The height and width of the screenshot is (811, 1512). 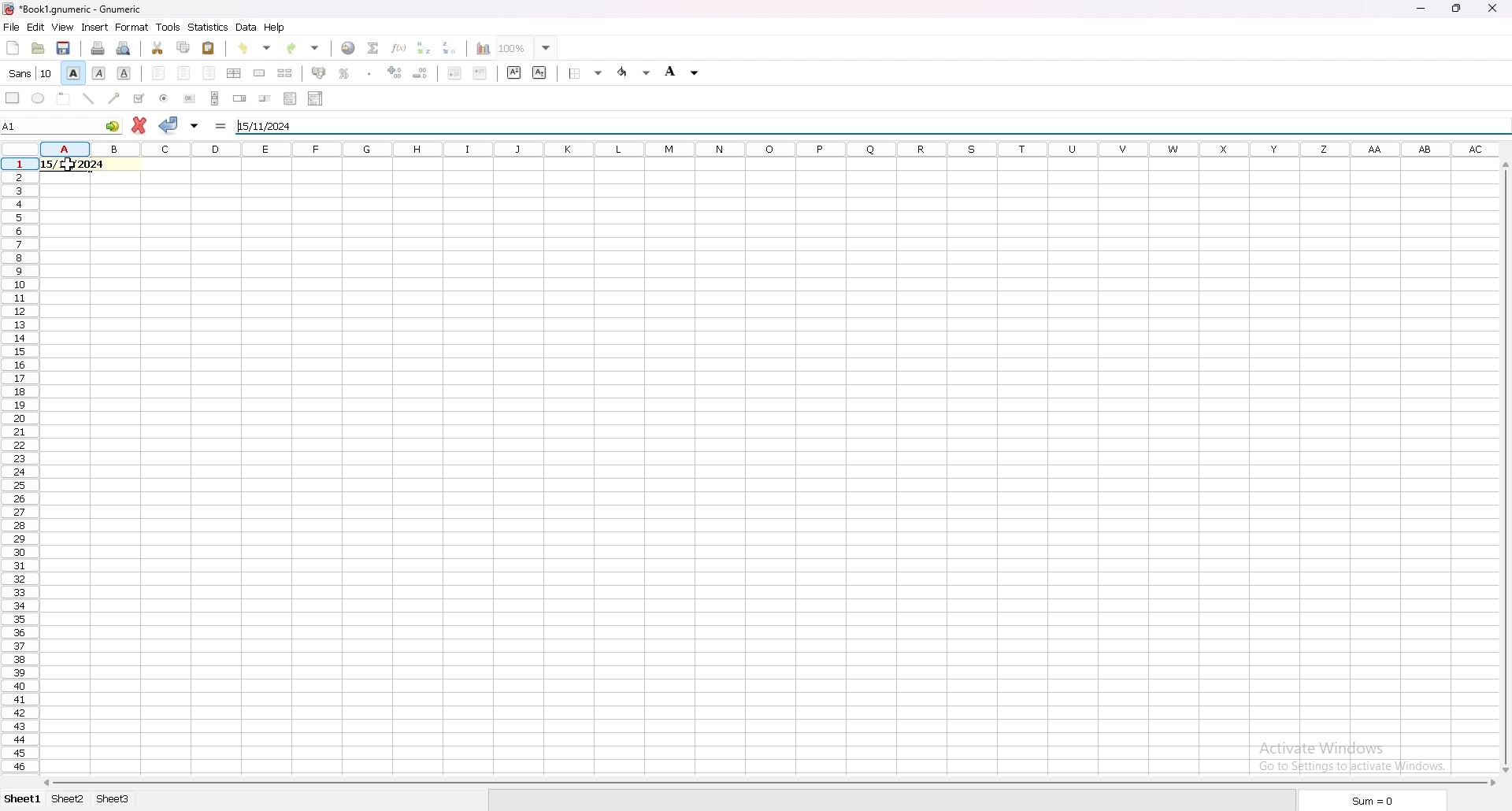 What do you see at coordinates (39, 98) in the screenshot?
I see `ellipse` at bounding box center [39, 98].